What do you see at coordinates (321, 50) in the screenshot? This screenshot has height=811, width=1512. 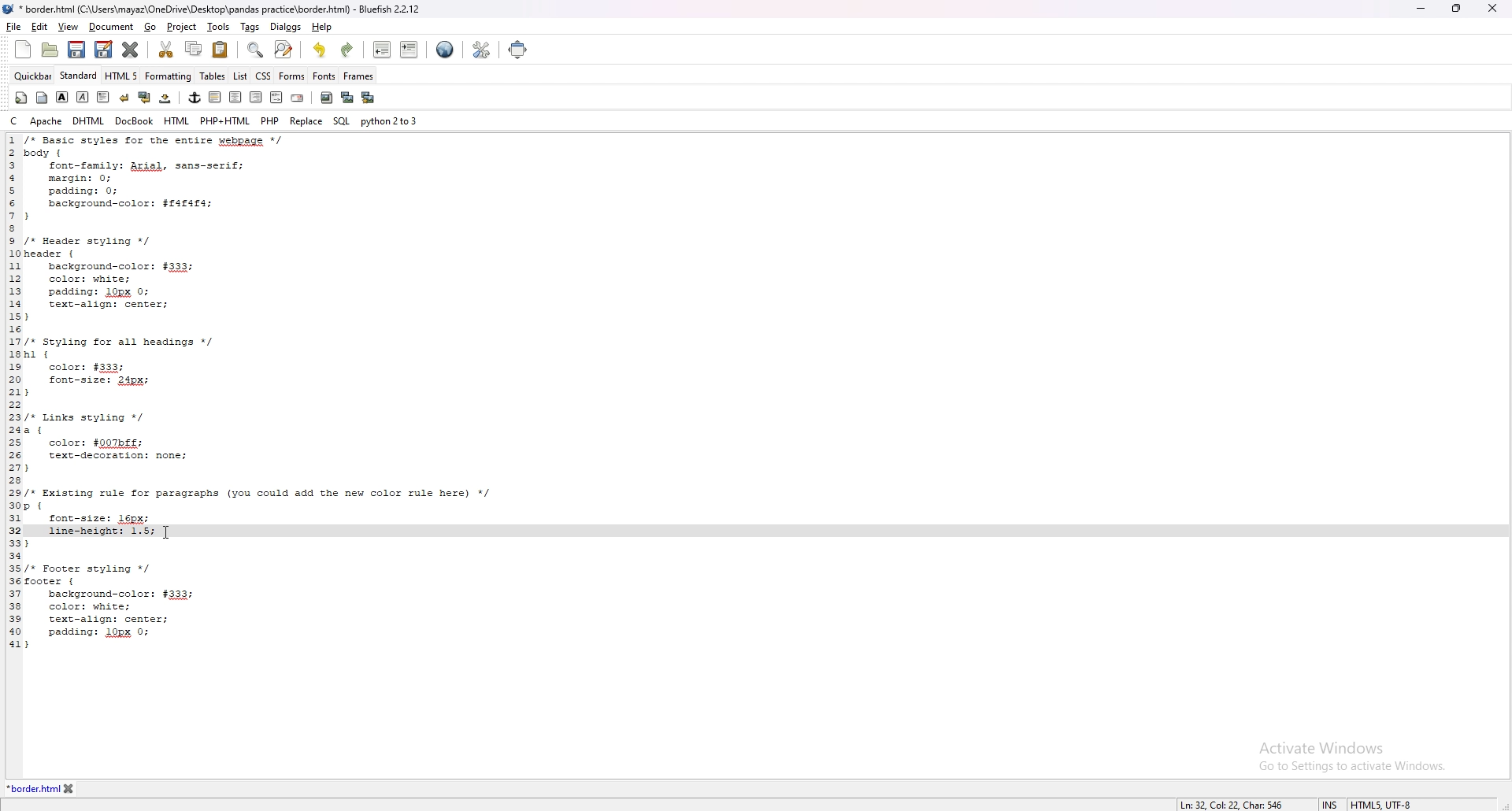 I see `undo` at bounding box center [321, 50].